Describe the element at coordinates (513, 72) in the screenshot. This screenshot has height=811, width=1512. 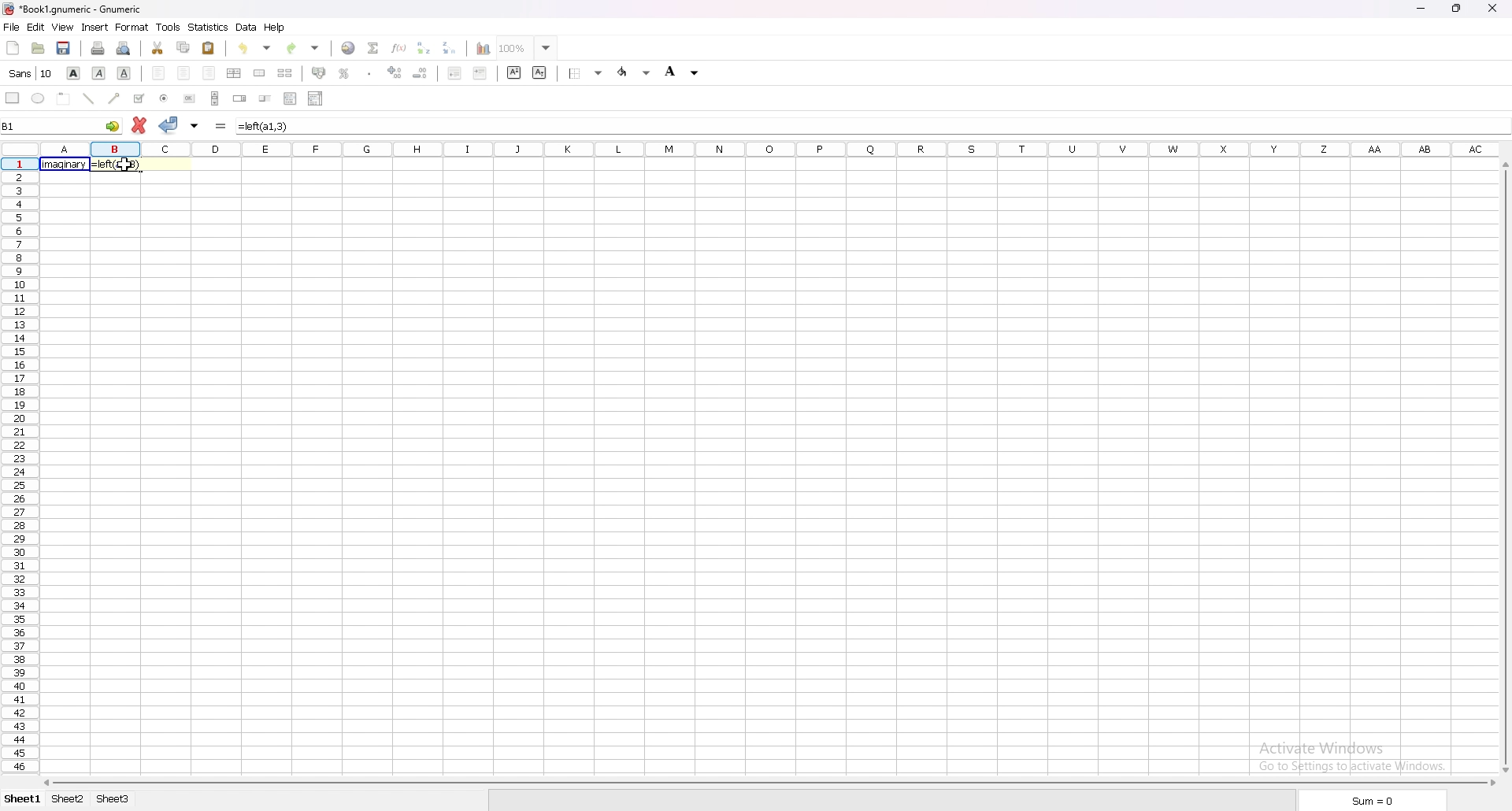
I see `superscript` at that location.